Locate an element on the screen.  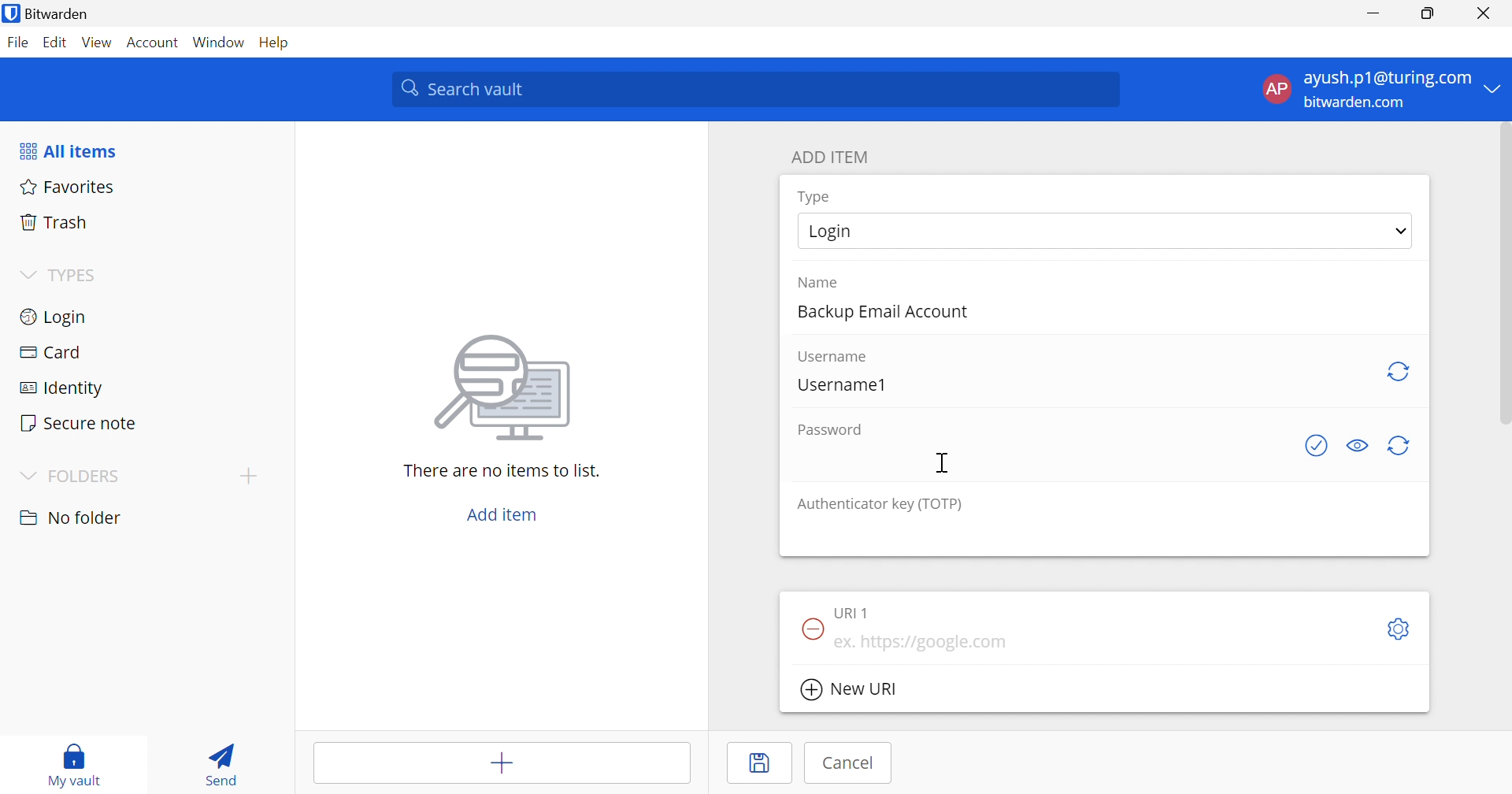
Name is located at coordinates (818, 283).